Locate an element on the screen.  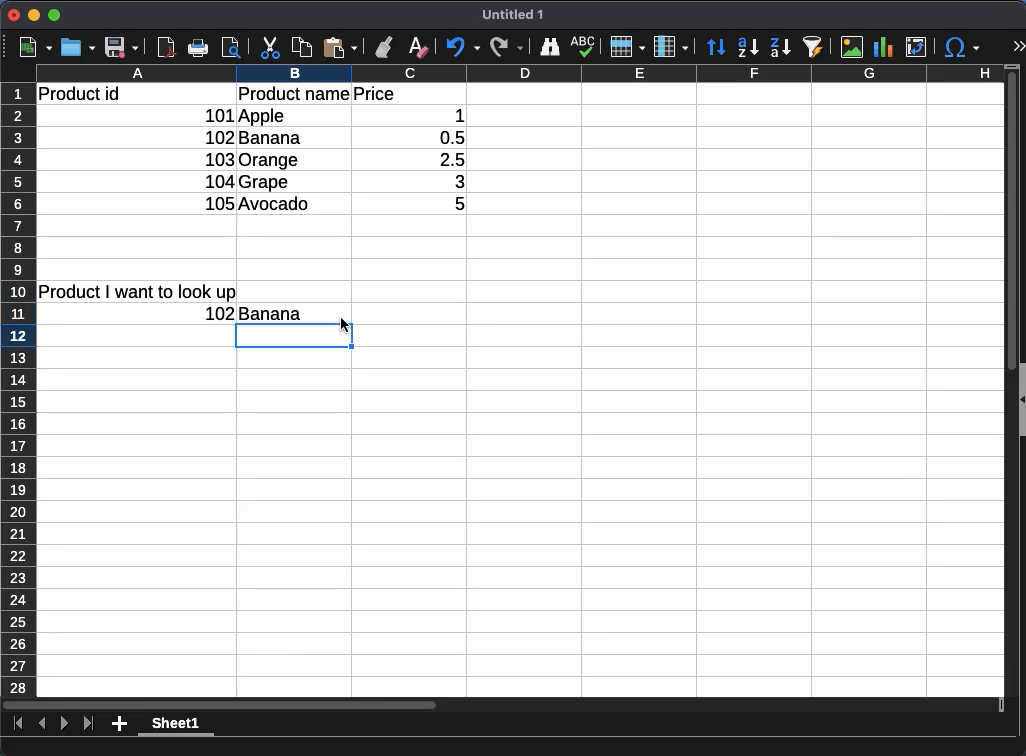
price is located at coordinates (374, 94).